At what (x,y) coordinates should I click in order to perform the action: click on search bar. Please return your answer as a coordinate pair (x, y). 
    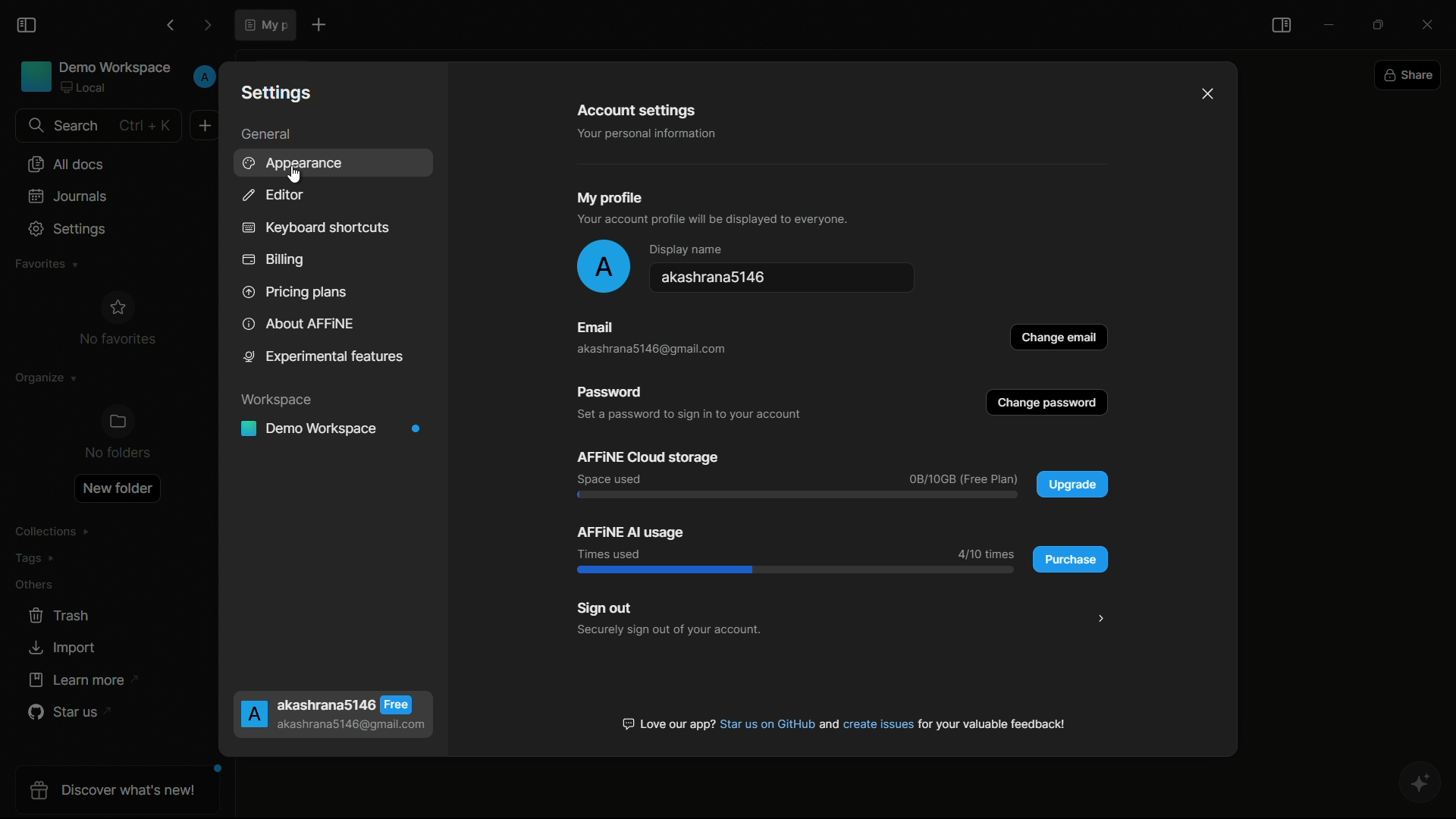
    Looking at the image, I should click on (96, 126).